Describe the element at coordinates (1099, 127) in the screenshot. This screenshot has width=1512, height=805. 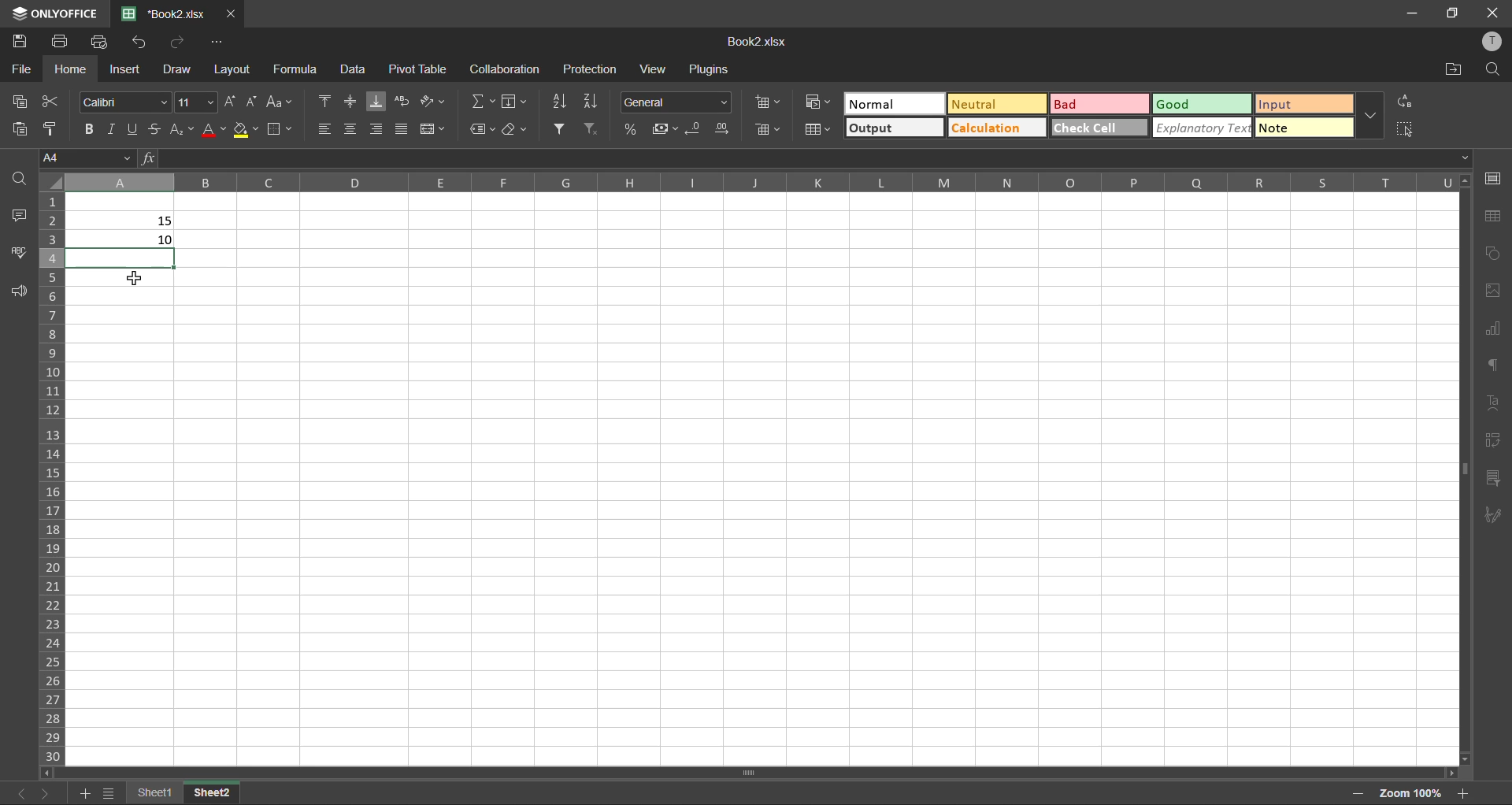
I see `check cell` at that location.